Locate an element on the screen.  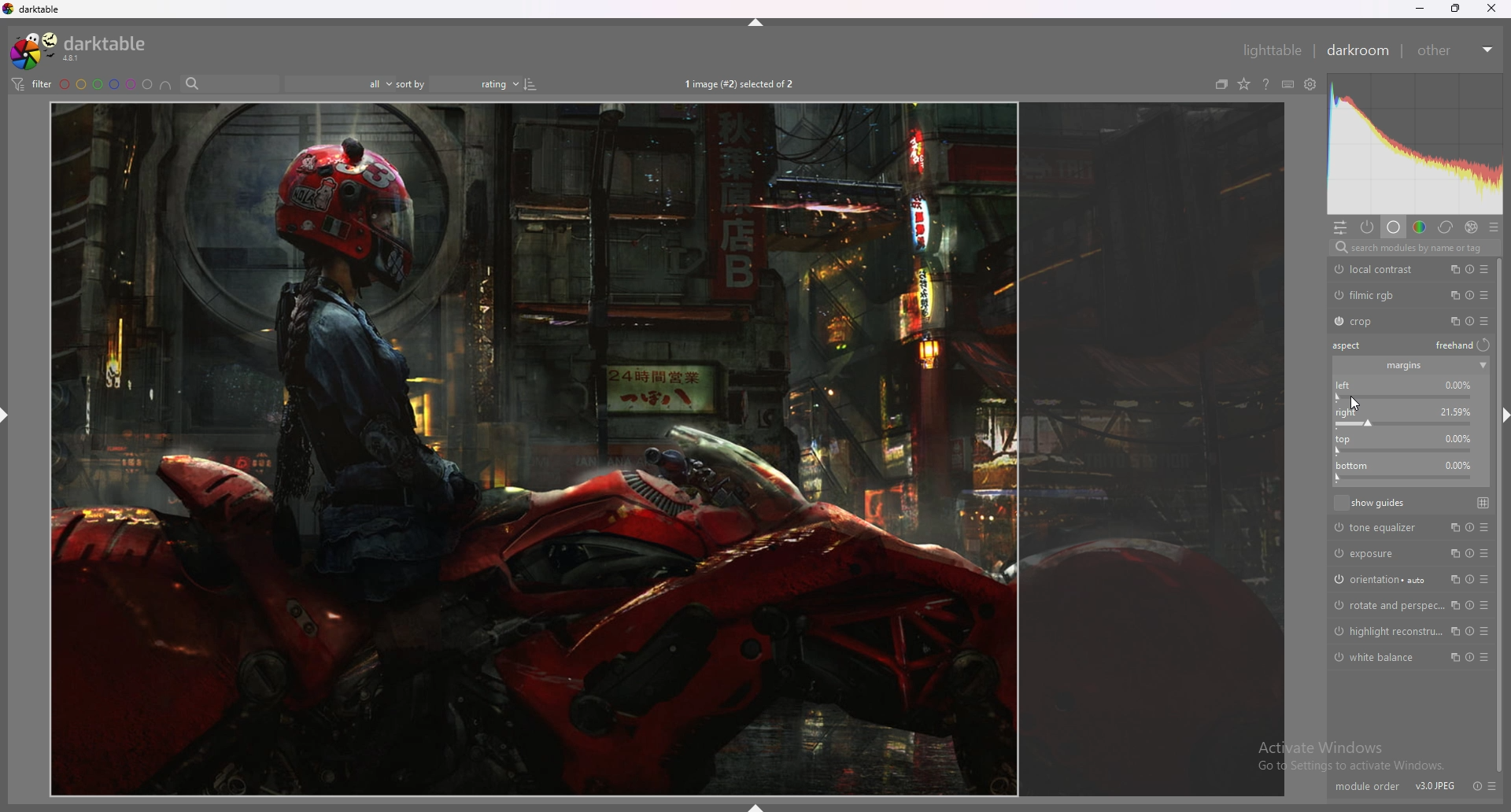
V30IPEG is located at coordinates (1431, 777).